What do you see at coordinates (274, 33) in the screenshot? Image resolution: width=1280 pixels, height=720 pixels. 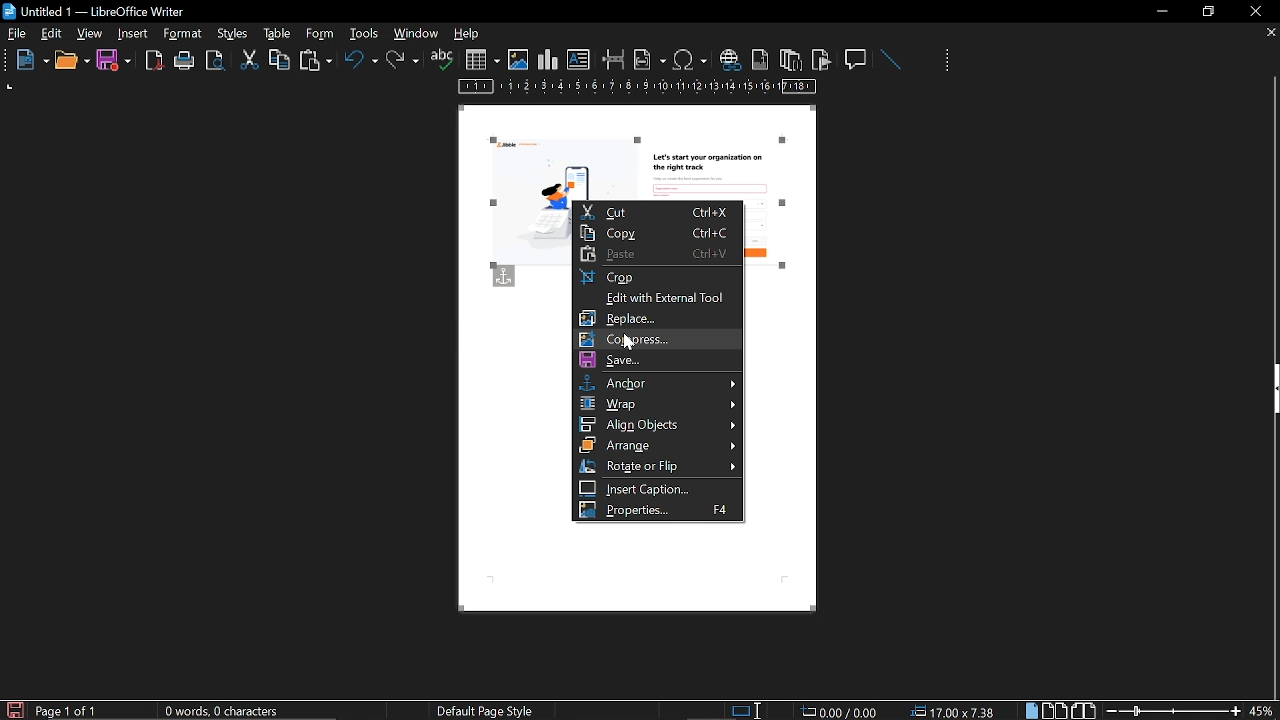 I see `styles` at bounding box center [274, 33].